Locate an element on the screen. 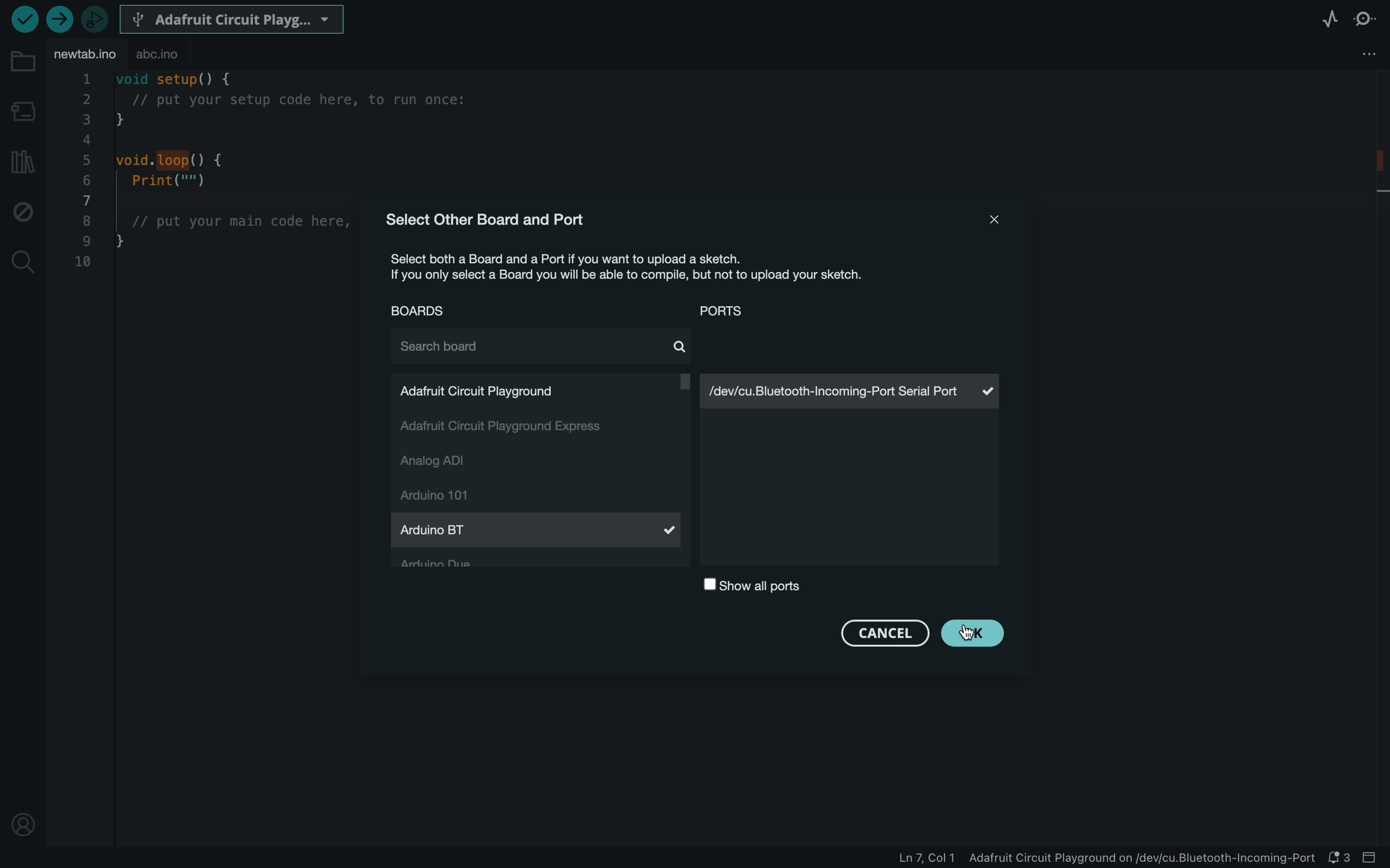  description is located at coordinates (648, 272).